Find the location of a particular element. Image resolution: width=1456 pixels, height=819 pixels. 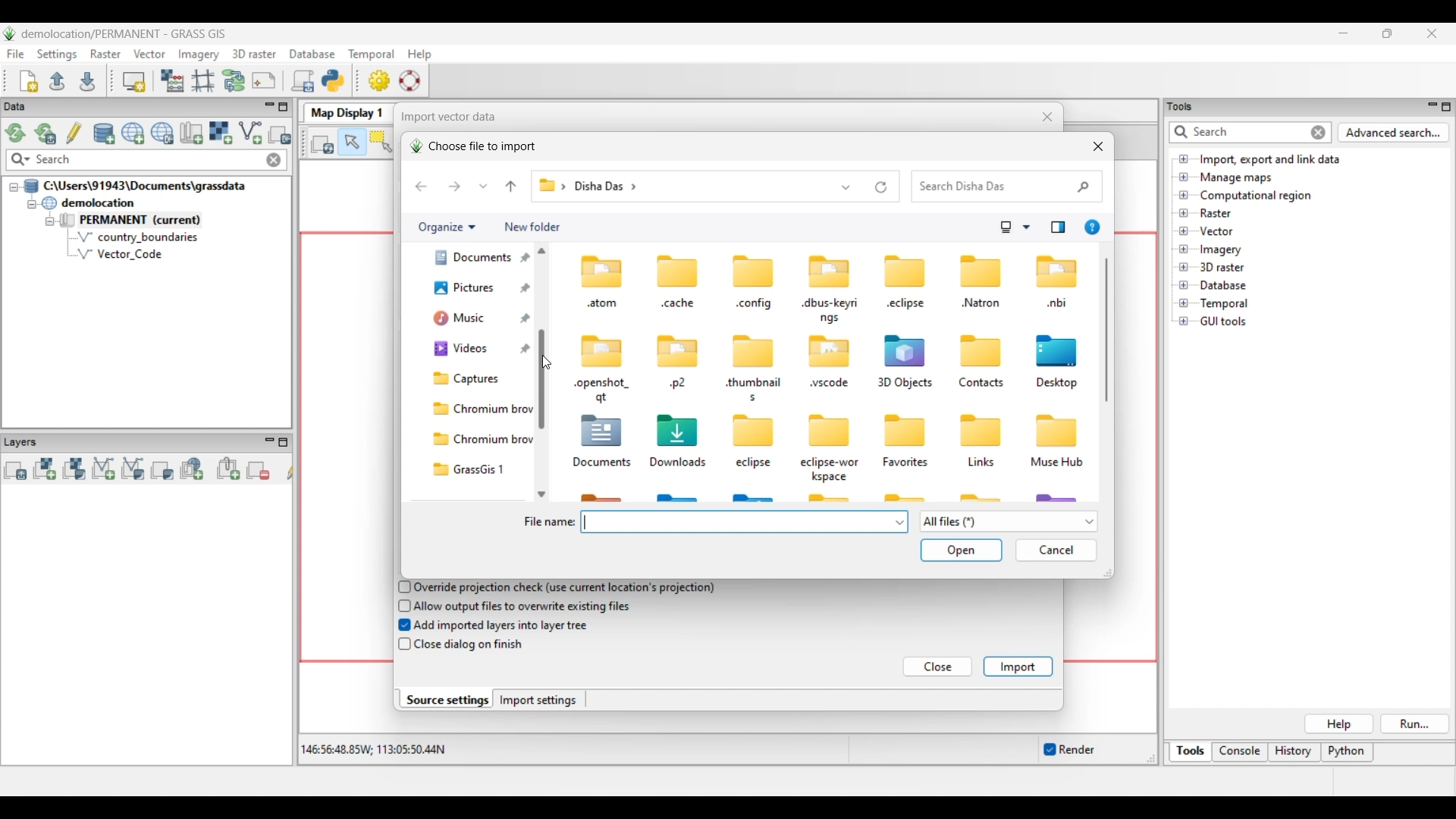

Add web service layer is located at coordinates (192, 469).